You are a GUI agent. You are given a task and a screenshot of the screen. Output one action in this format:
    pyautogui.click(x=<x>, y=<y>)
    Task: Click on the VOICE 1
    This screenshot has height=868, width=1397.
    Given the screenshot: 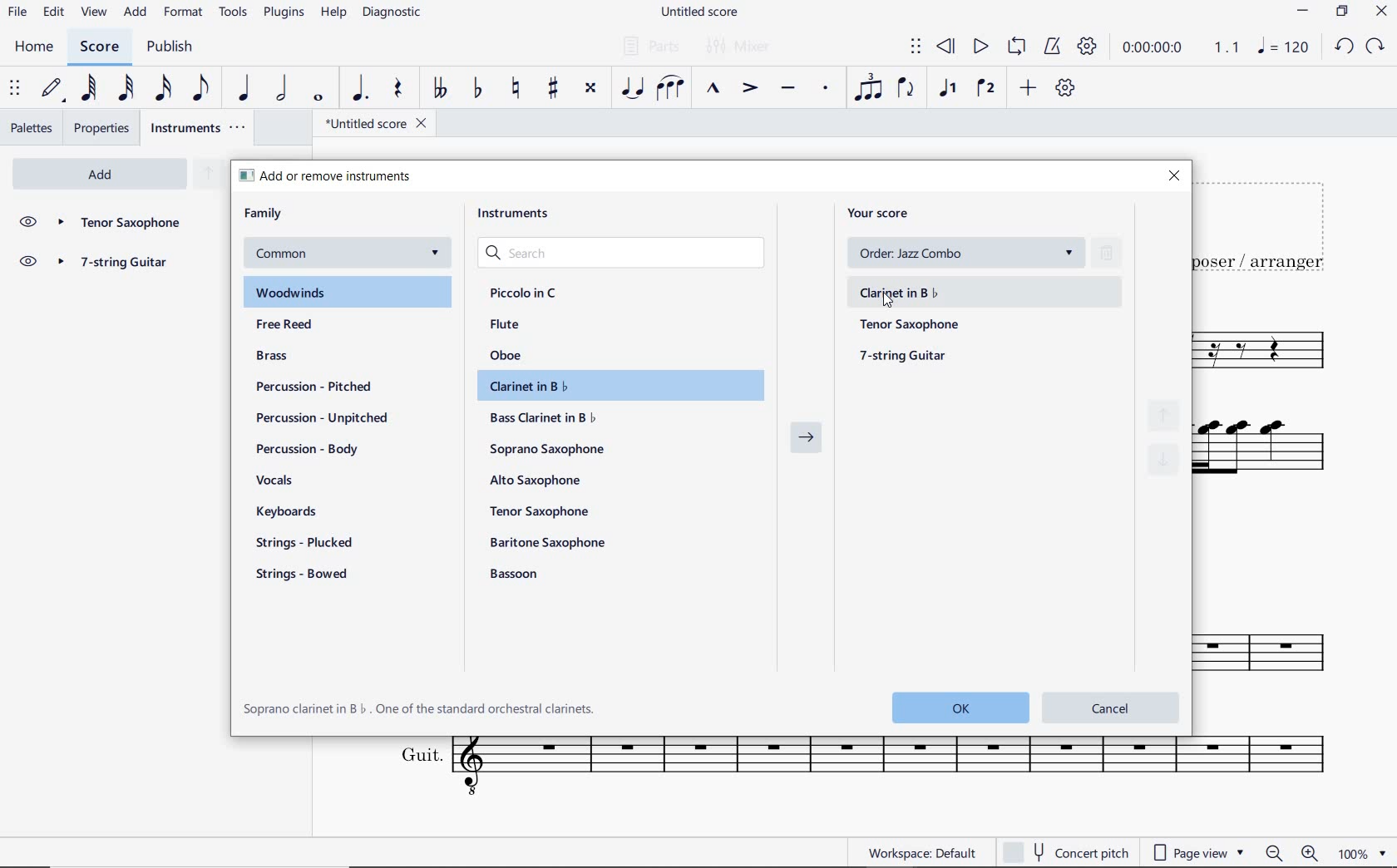 What is the action you would take?
    pyautogui.click(x=947, y=90)
    